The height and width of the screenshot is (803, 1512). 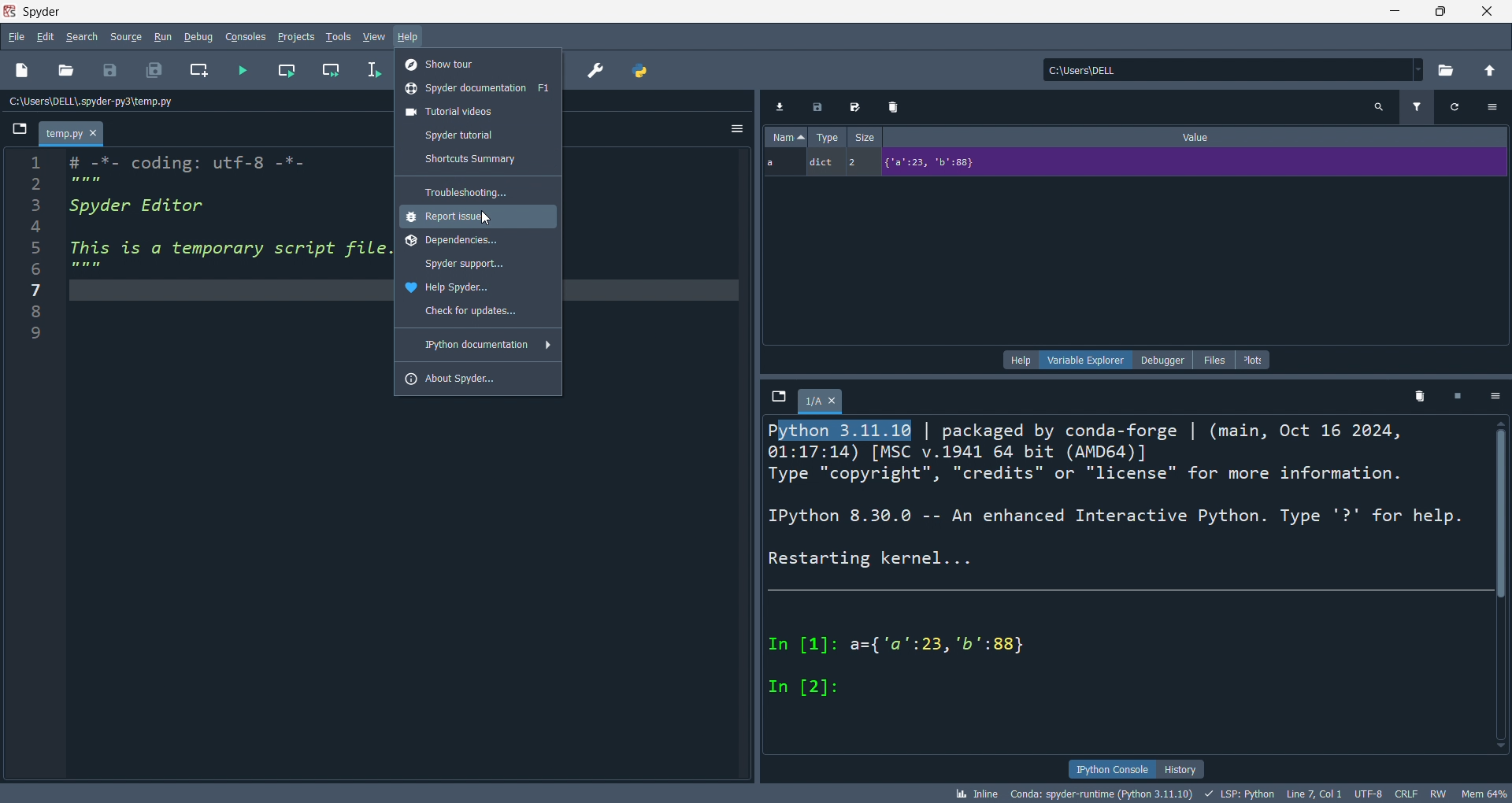 I want to click on Refresh, so click(x=1454, y=107).